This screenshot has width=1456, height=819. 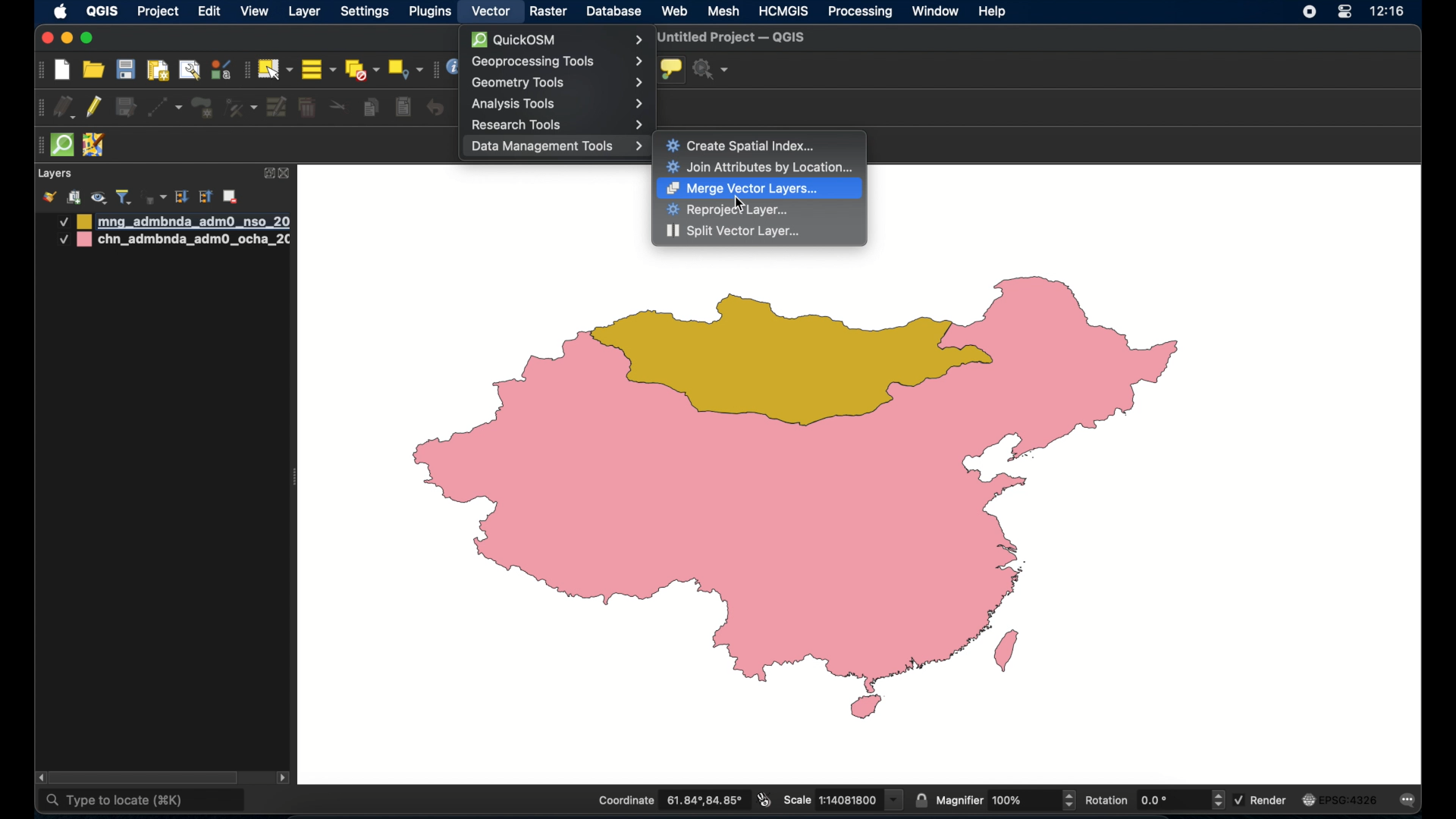 What do you see at coordinates (49, 197) in the screenshot?
I see `open layer styling panel` at bounding box center [49, 197].